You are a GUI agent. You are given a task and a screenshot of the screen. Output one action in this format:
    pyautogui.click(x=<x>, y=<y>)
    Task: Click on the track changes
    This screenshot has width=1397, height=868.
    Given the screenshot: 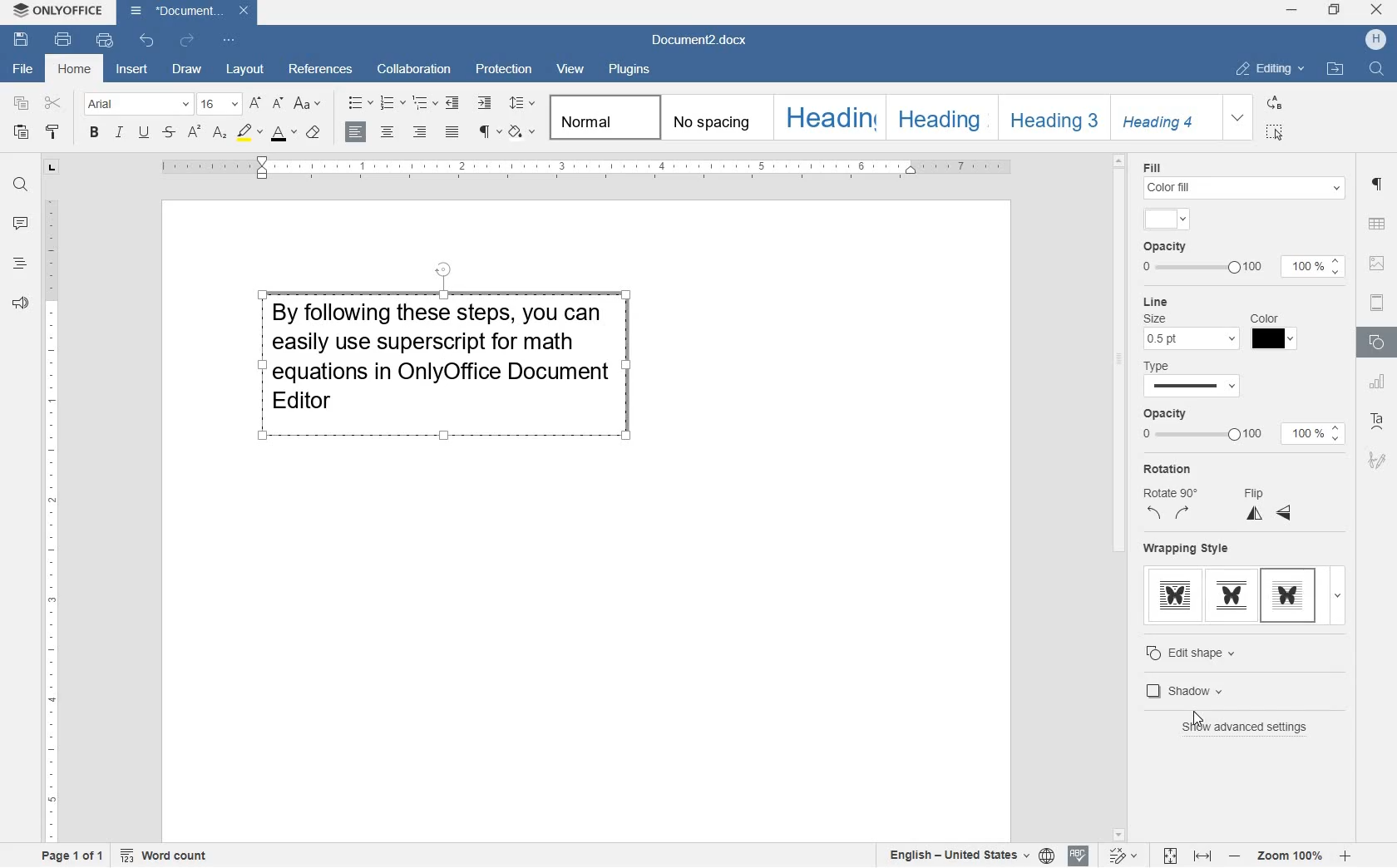 What is the action you would take?
    pyautogui.click(x=1124, y=855)
    